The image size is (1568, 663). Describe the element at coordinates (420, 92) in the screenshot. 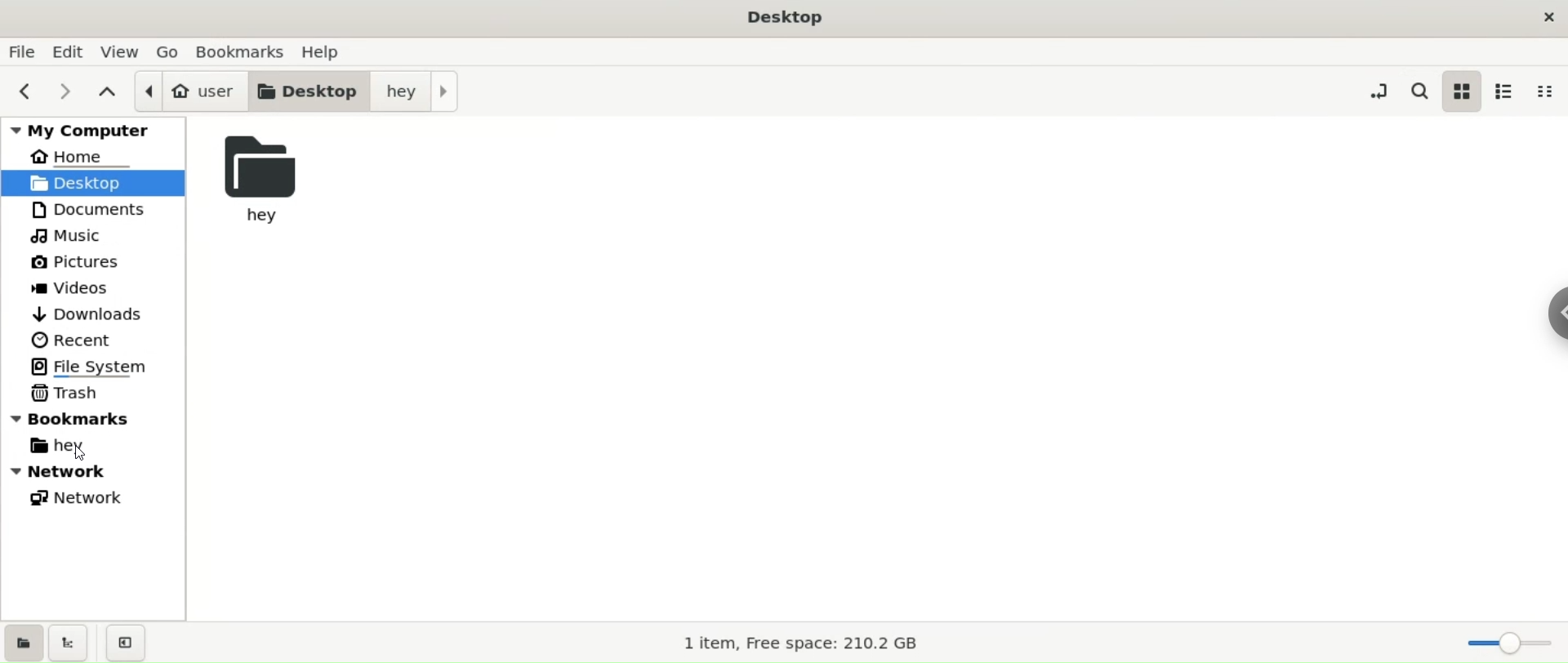

I see `hey` at that location.